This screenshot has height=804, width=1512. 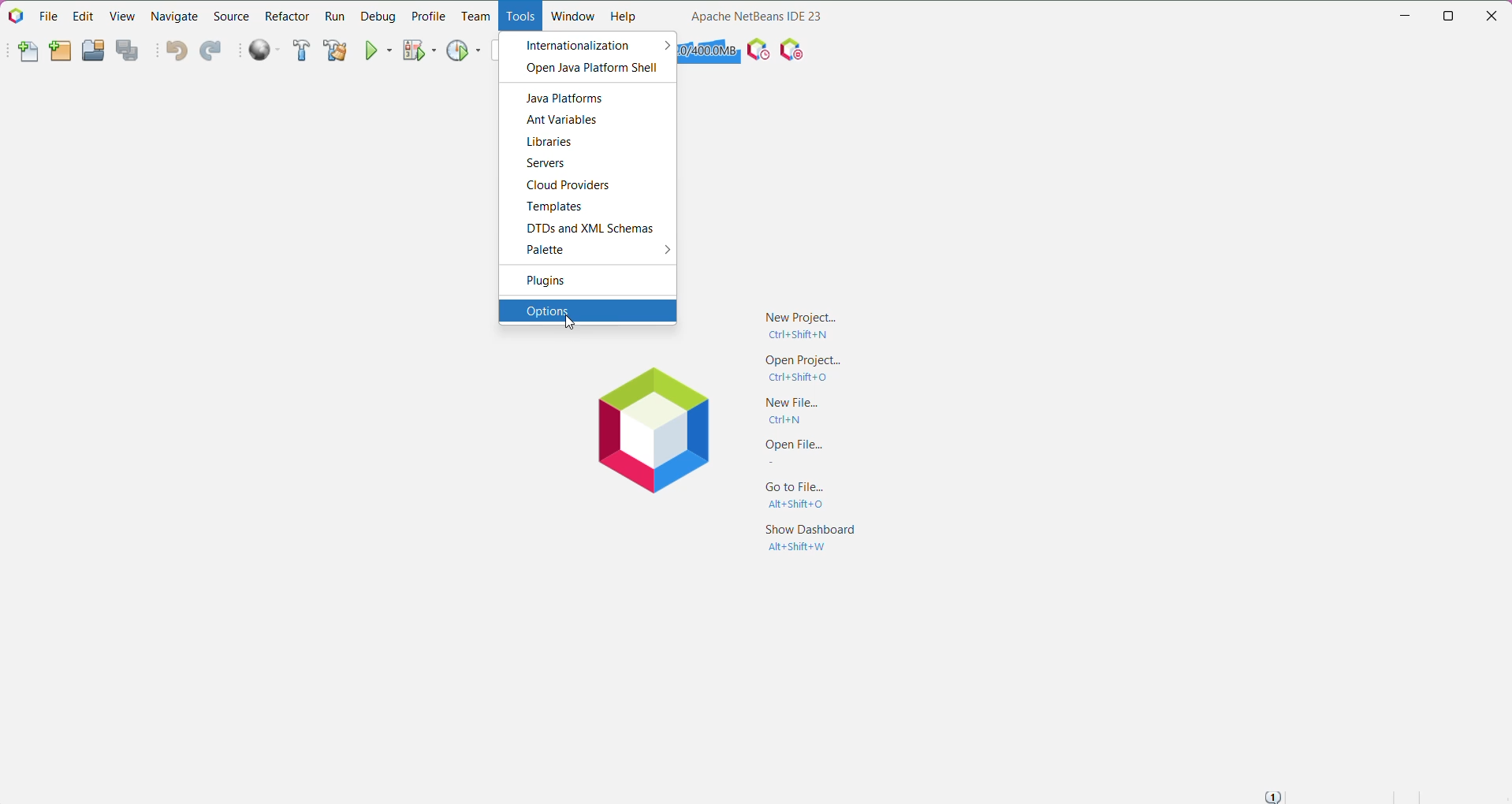 What do you see at coordinates (475, 17) in the screenshot?
I see `Team` at bounding box center [475, 17].